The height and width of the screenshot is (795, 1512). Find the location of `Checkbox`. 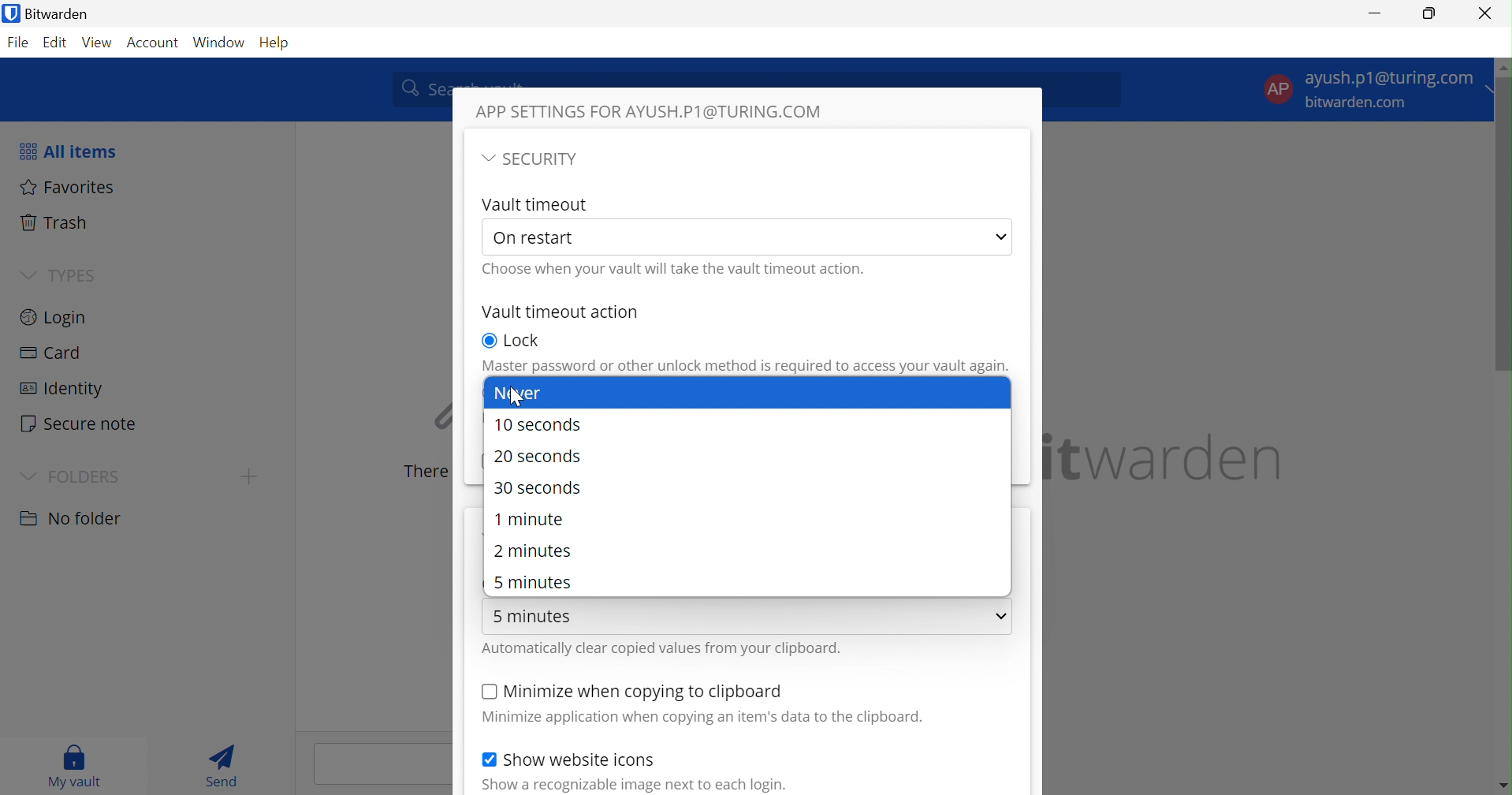

Checkbox is located at coordinates (488, 340).